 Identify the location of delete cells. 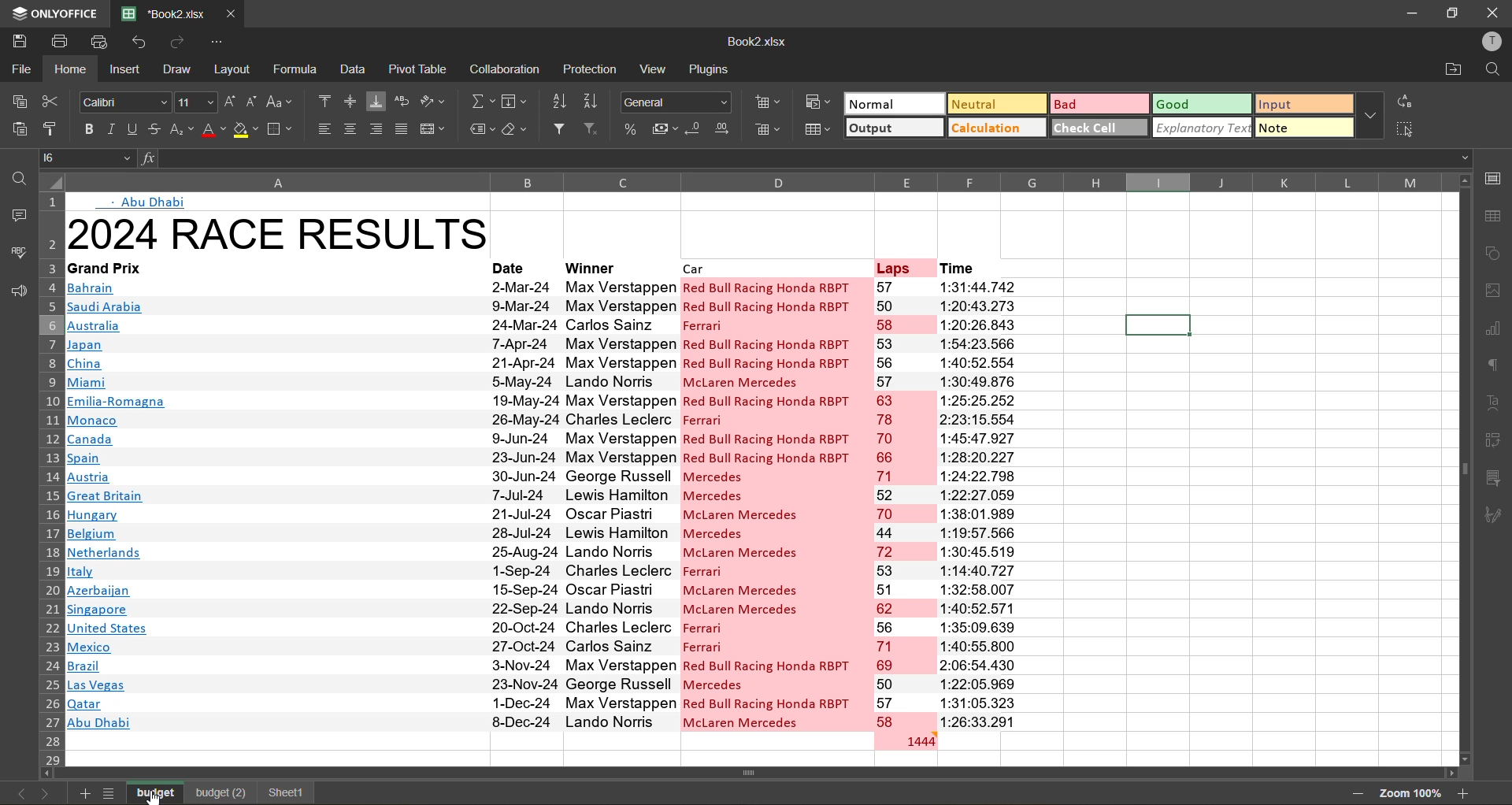
(769, 131).